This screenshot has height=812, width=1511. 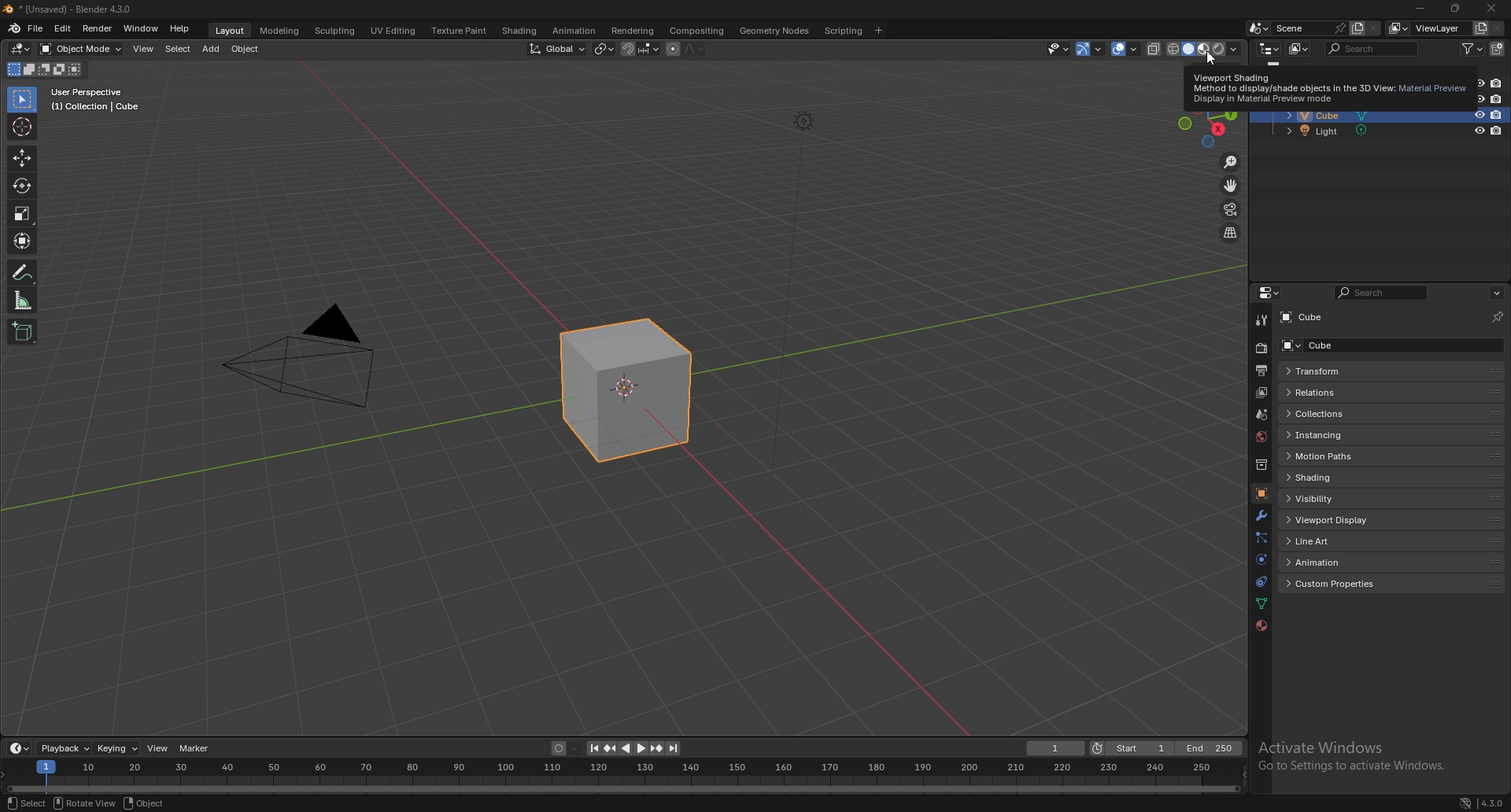 What do you see at coordinates (1262, 415) in the screenshot?
I see `scene` at bounding box center [1262, 415].